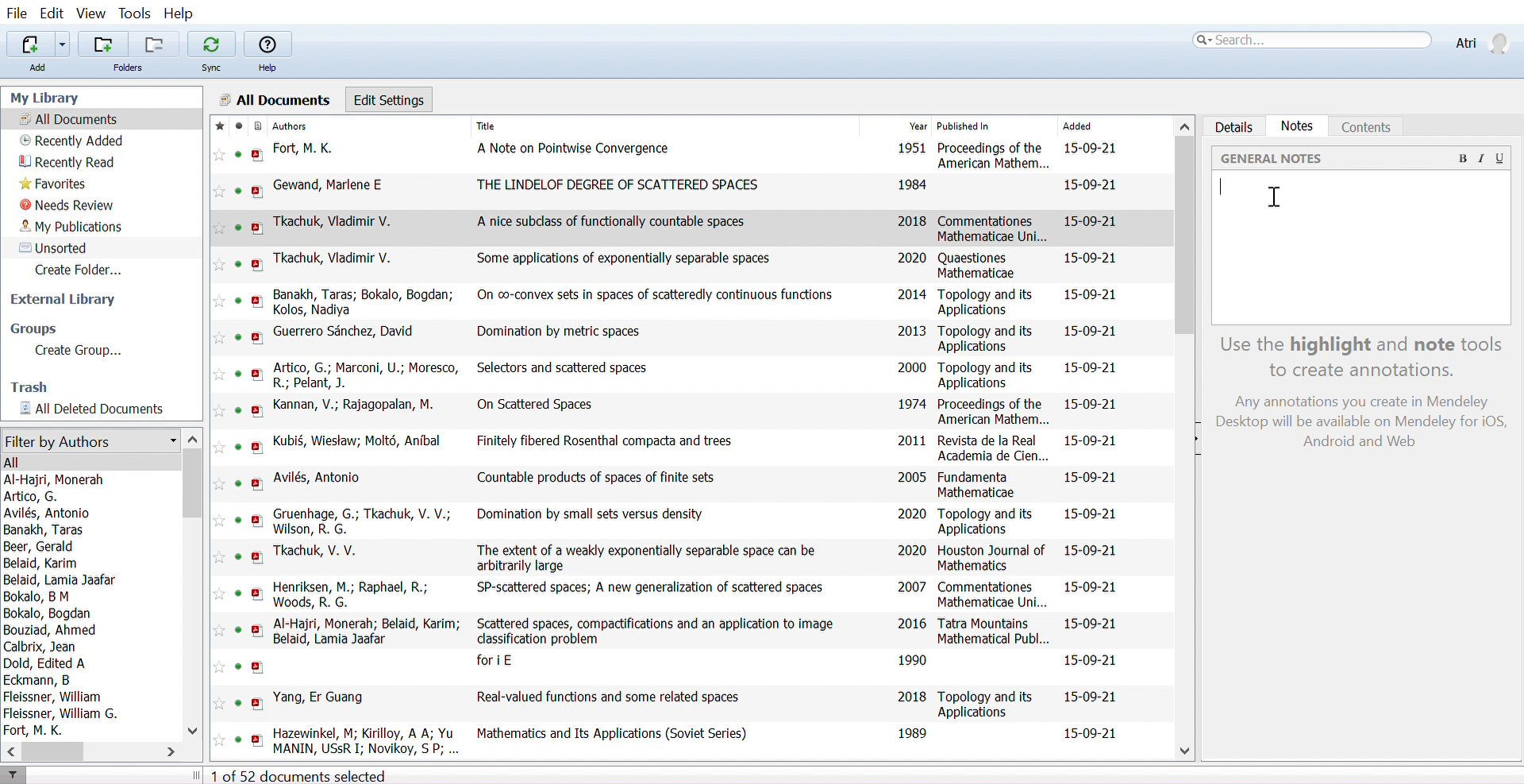  What do you see at coordinates (36, 67) in the screenshot?
I see `Add` at bounding box center [36, 67].